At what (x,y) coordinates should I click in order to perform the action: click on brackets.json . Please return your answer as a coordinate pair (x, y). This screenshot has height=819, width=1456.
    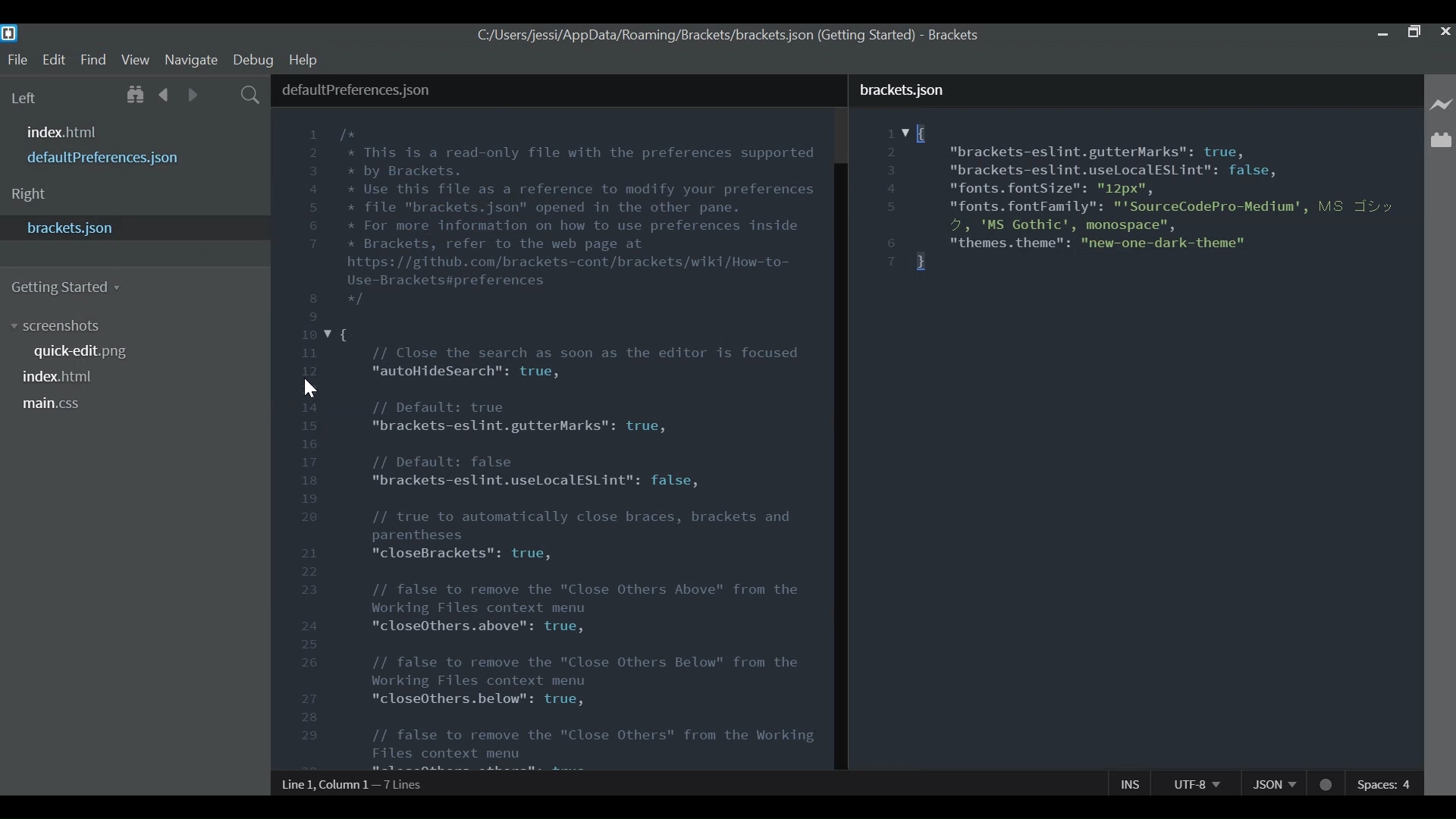
    Looking at the image, I should click on (1137, 88).